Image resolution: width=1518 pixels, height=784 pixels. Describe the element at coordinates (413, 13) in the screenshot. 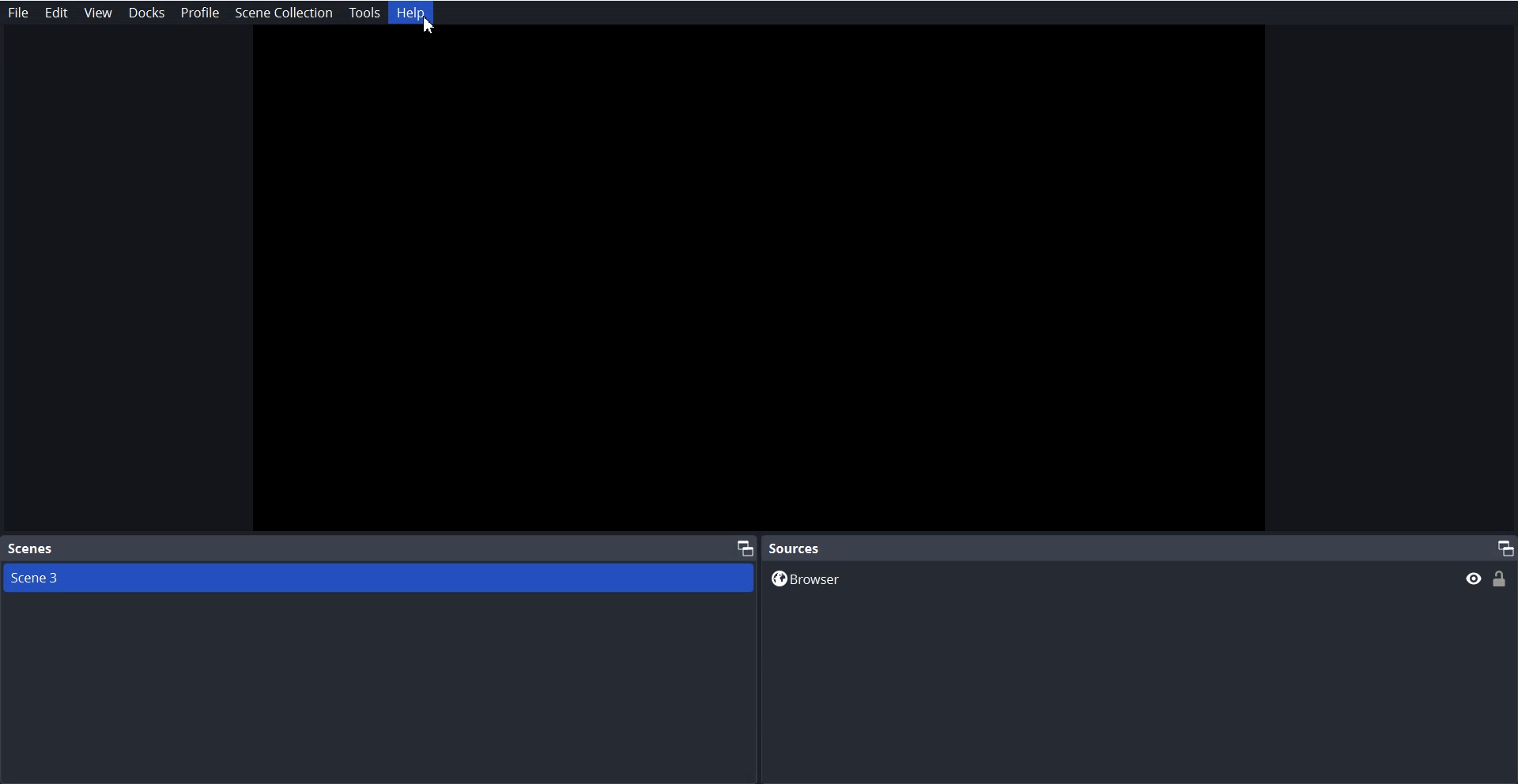

I see `Help` at that location.